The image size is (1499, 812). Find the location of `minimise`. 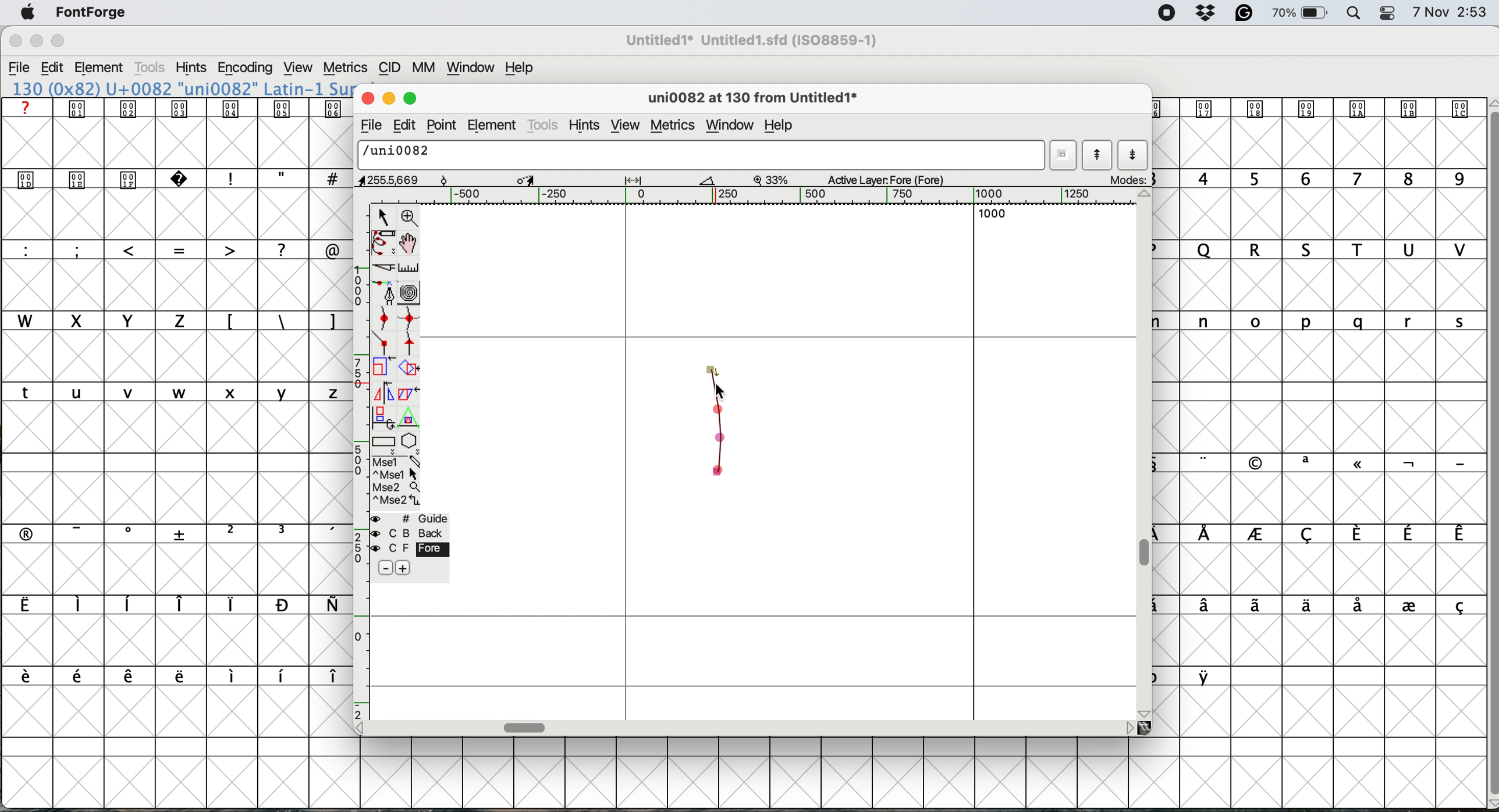

minimise is located at coordinates (389, 99).